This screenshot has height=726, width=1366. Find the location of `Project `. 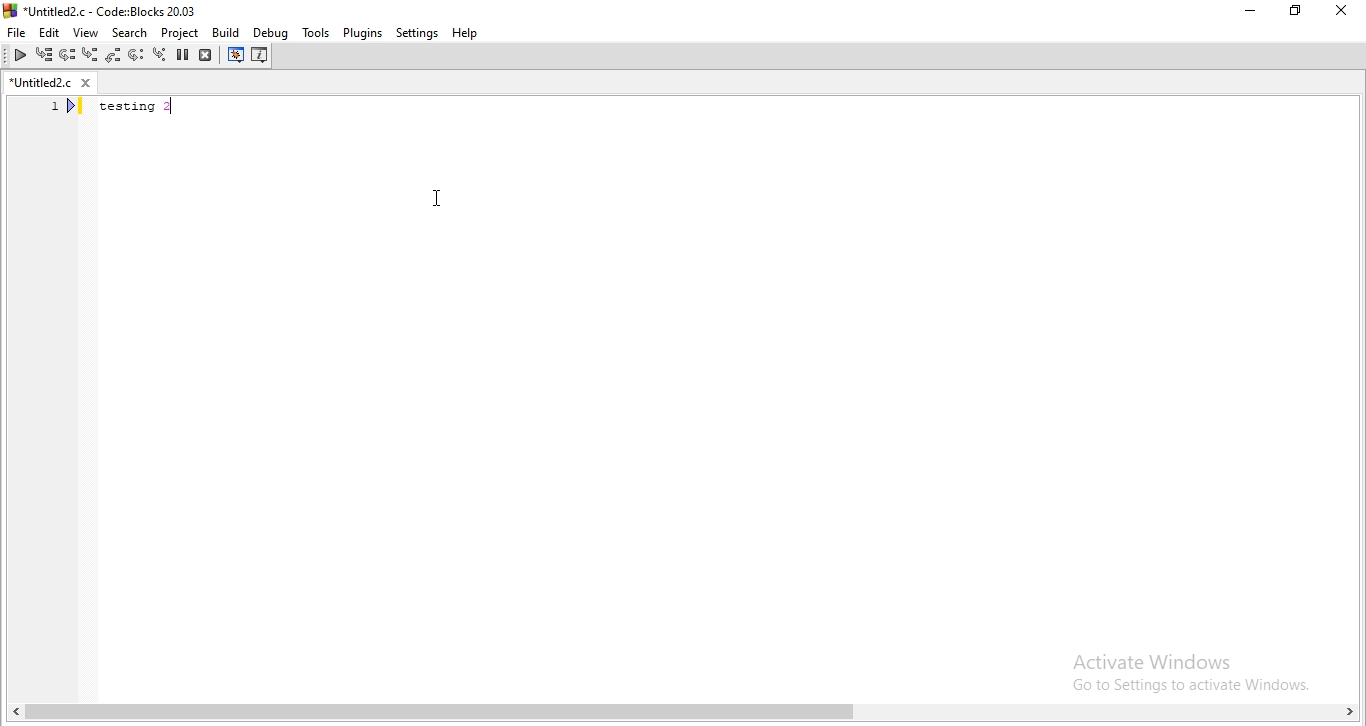

Project  is located at coordinates (180, 34).